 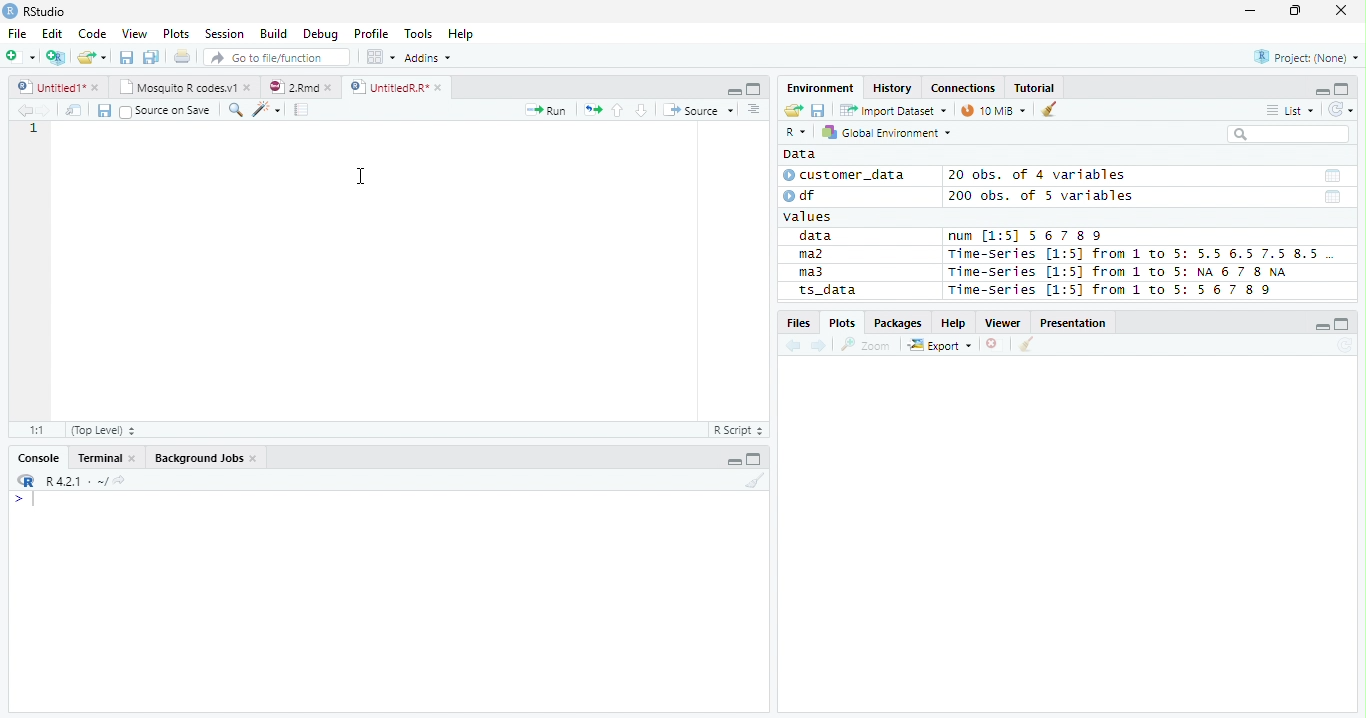 I want to click on UnititledR.R, so click(x=398, y=88).